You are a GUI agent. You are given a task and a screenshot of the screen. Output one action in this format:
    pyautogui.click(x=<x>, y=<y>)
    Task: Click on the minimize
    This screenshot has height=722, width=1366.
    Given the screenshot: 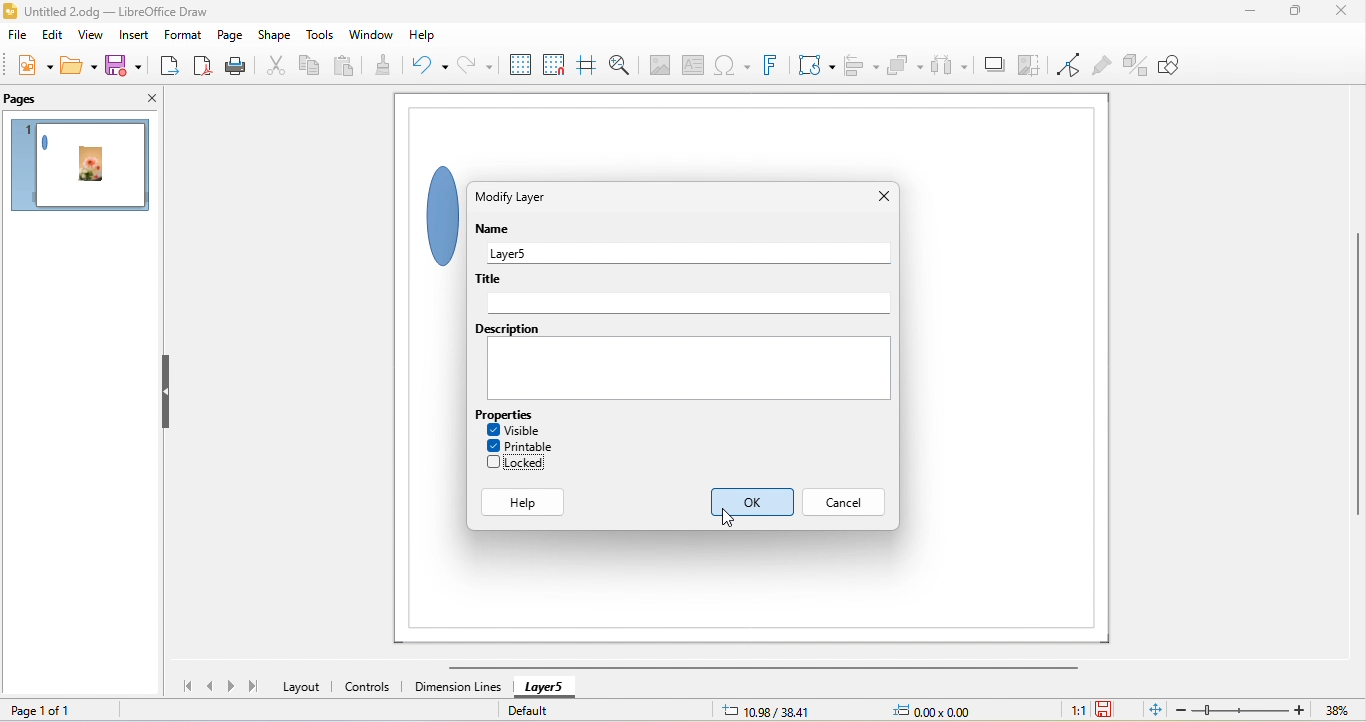 What is the action you would take?
    pyautogui.click(x=1252, y=13)
    